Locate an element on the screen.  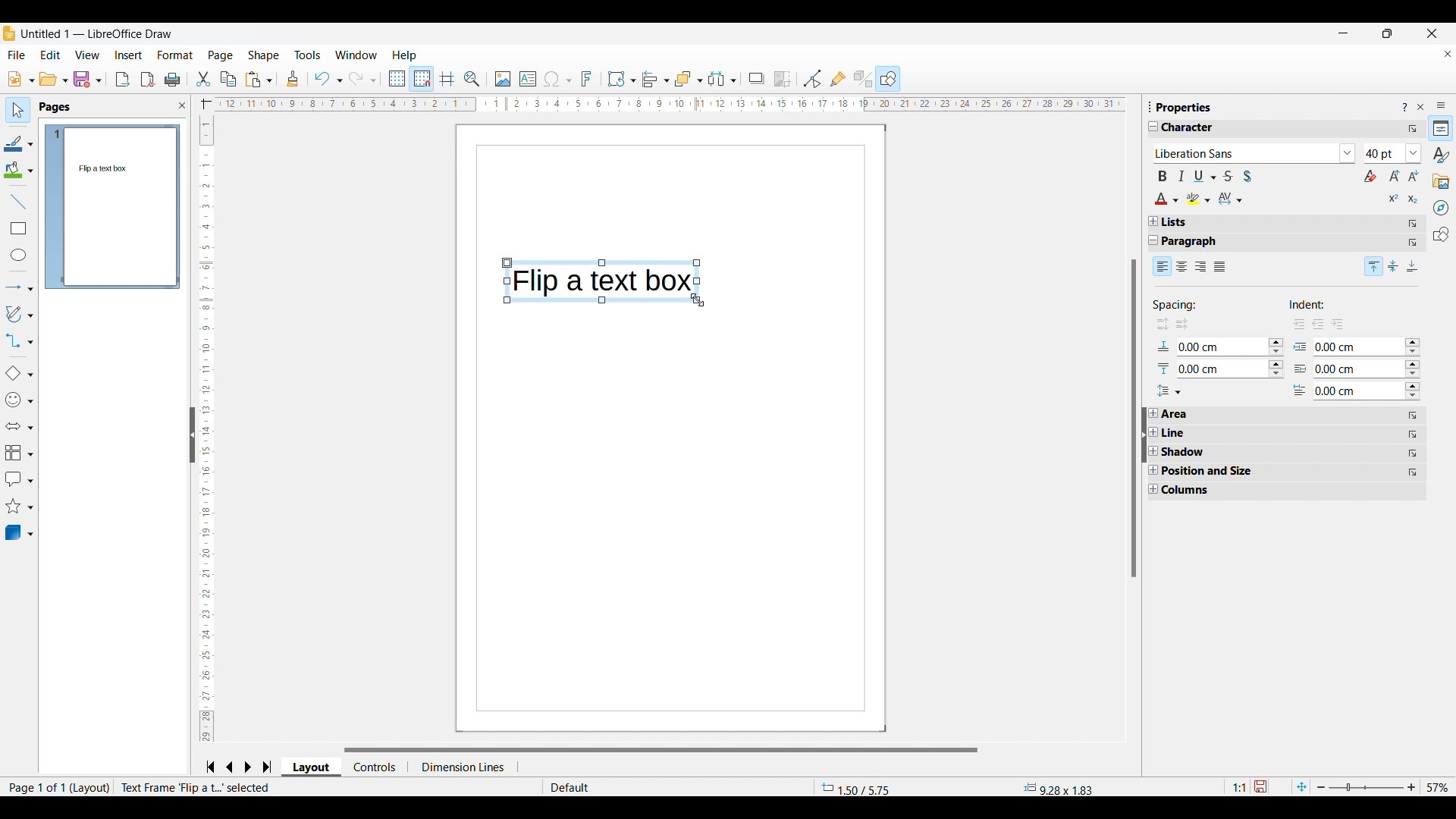
Vertical slider is located at coordinates (1134, 418).